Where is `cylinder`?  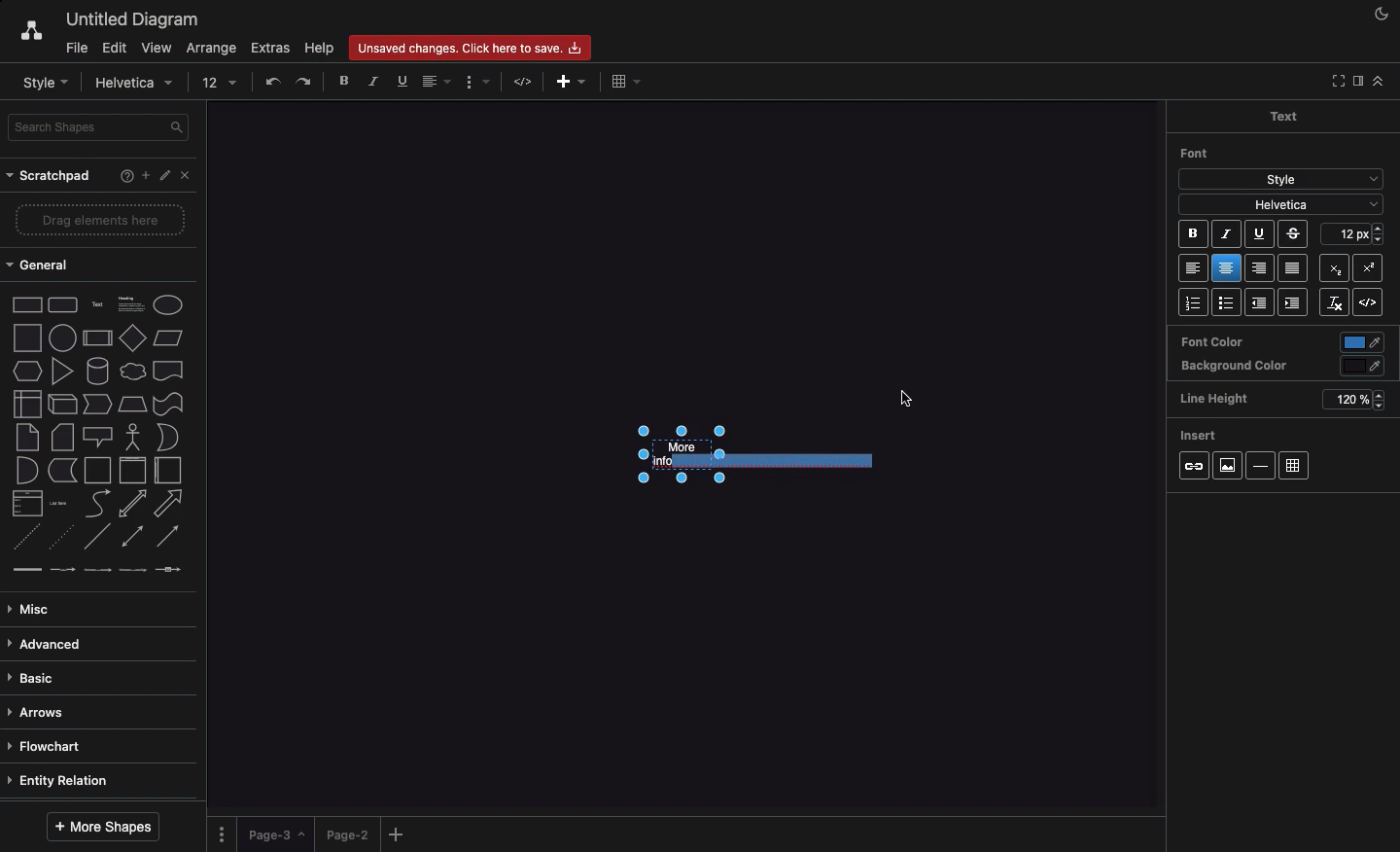
cylinder is located at coordinates (98, 371).